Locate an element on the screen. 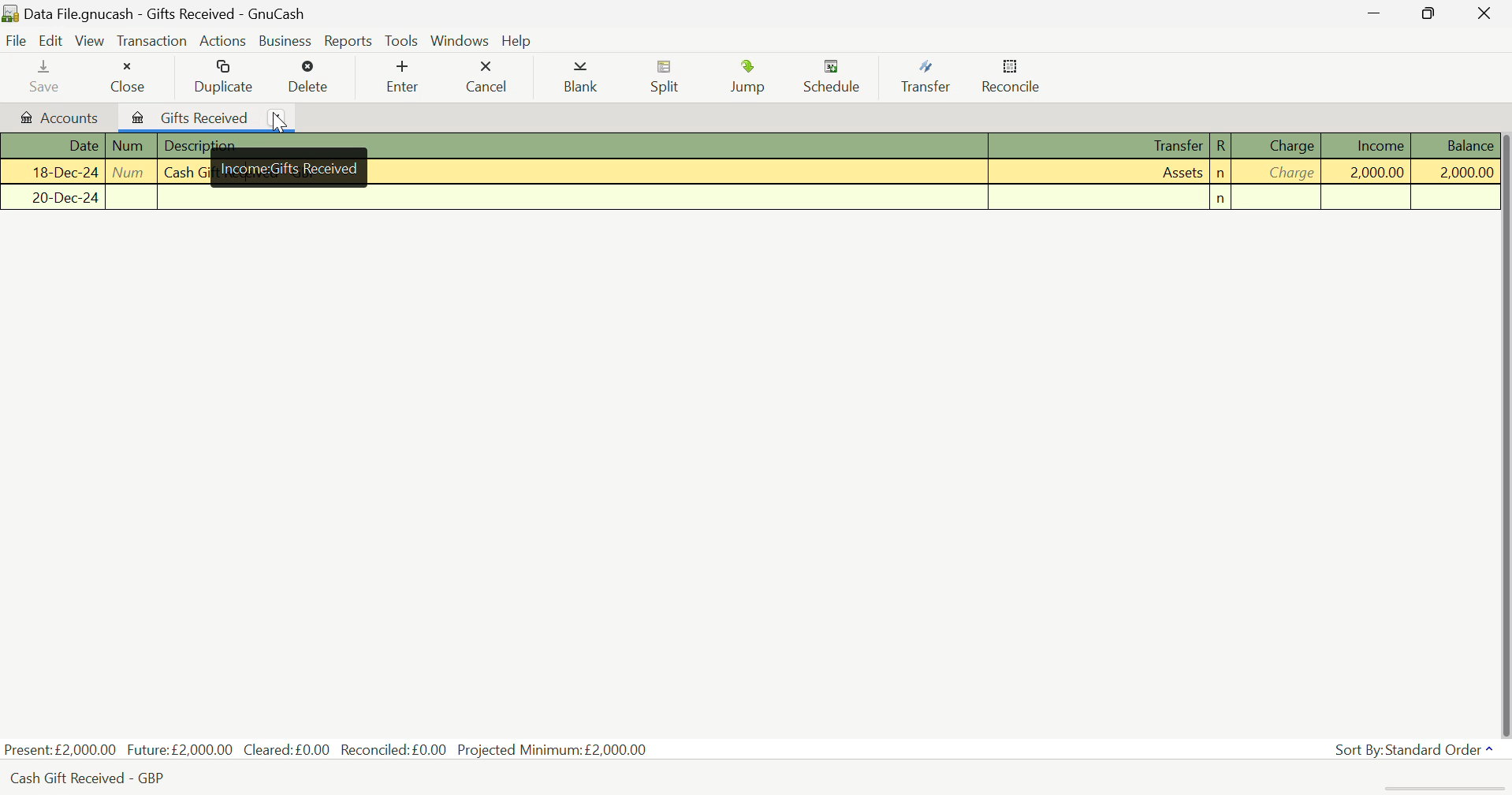 Image resolution: width=1512 pixels, height=795 pixels. Restore Down is located at coordinates (1377, 13).